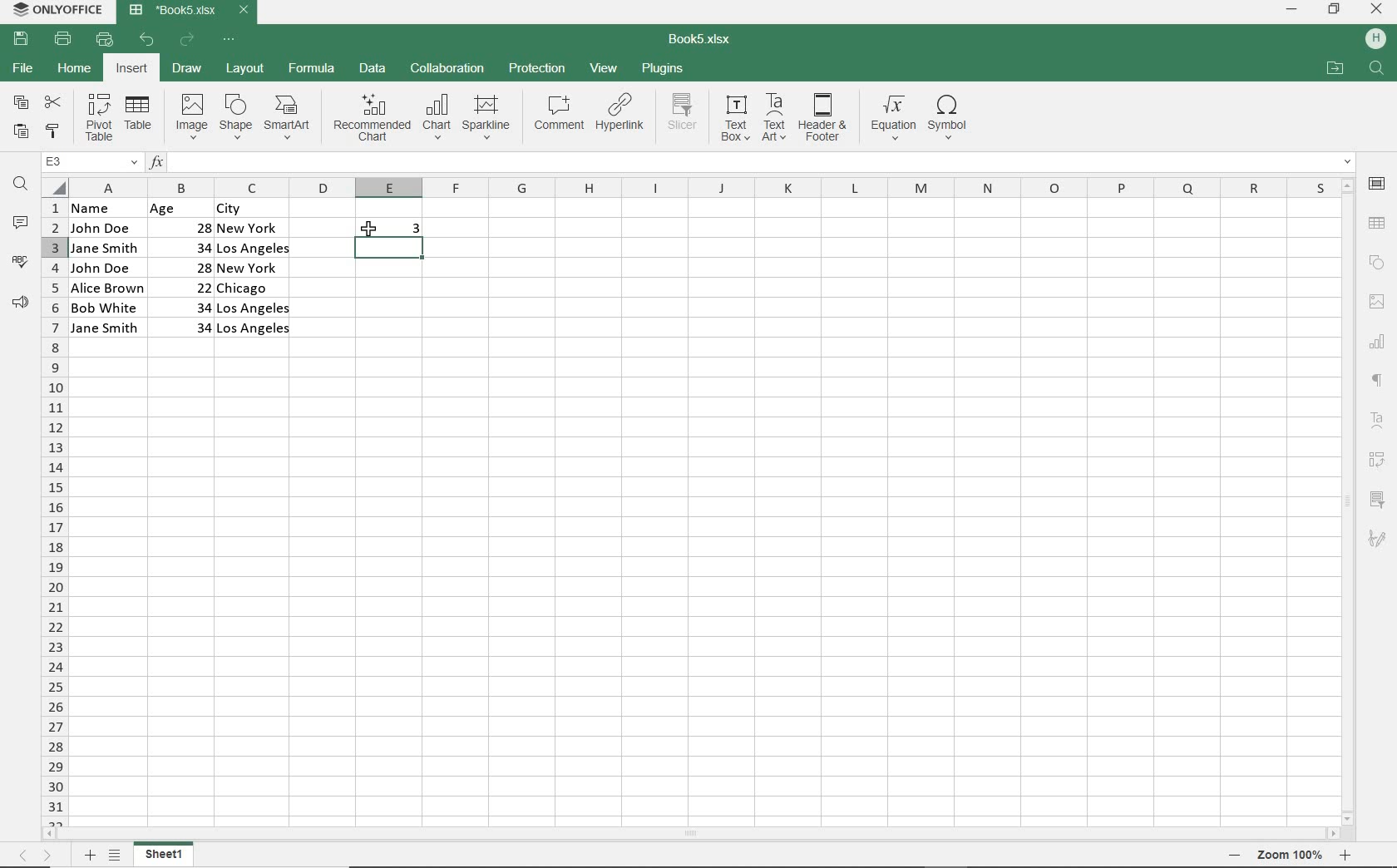 Image resolution: width=1397 pixels, height=868 pixels. Describe the element at coordinates (823, 118) in the screenshot. I see `HEADER & FOOTER` at that location.